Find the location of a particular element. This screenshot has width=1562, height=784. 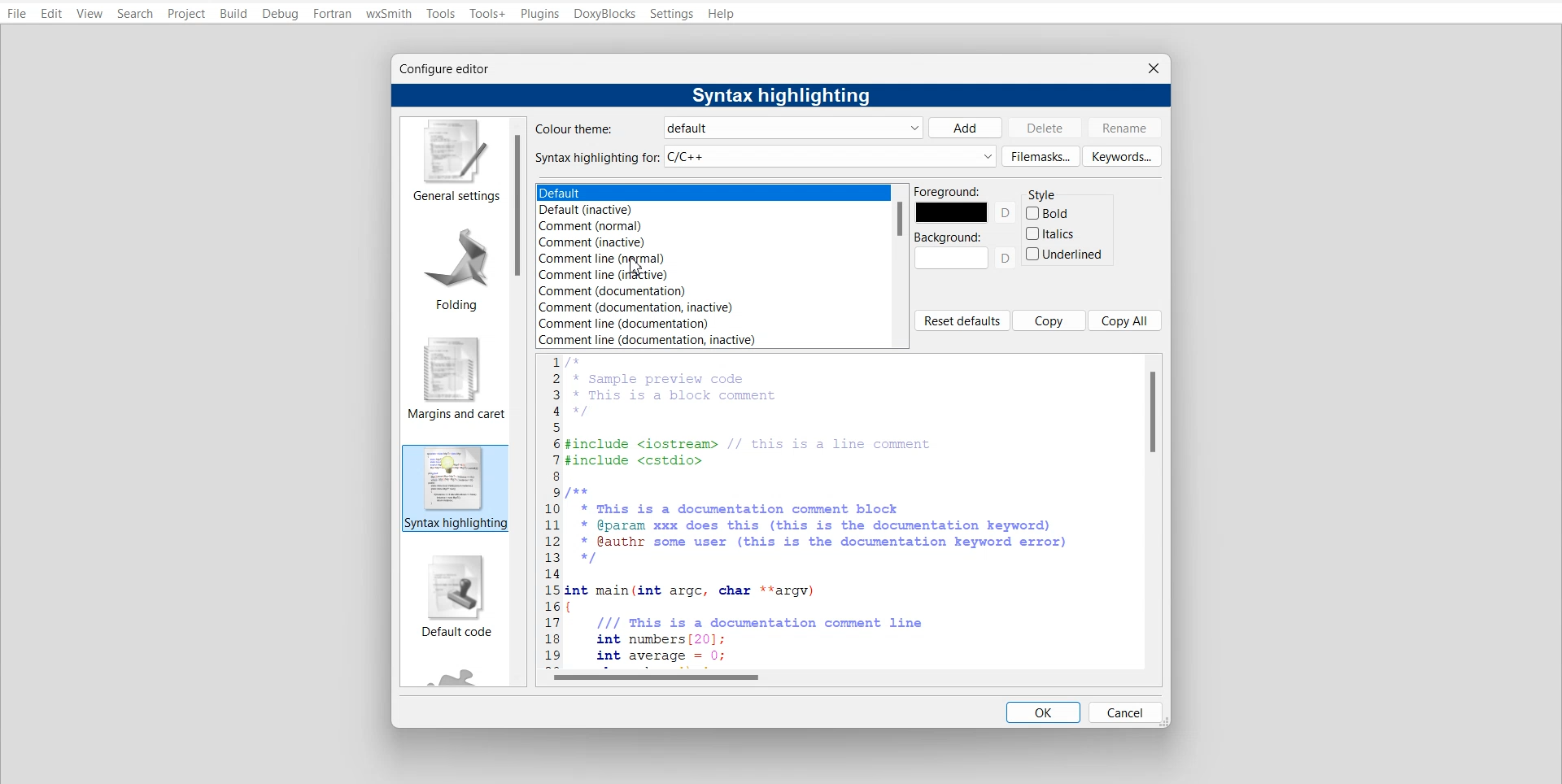

Cursor is located at coordinates (636, 267).